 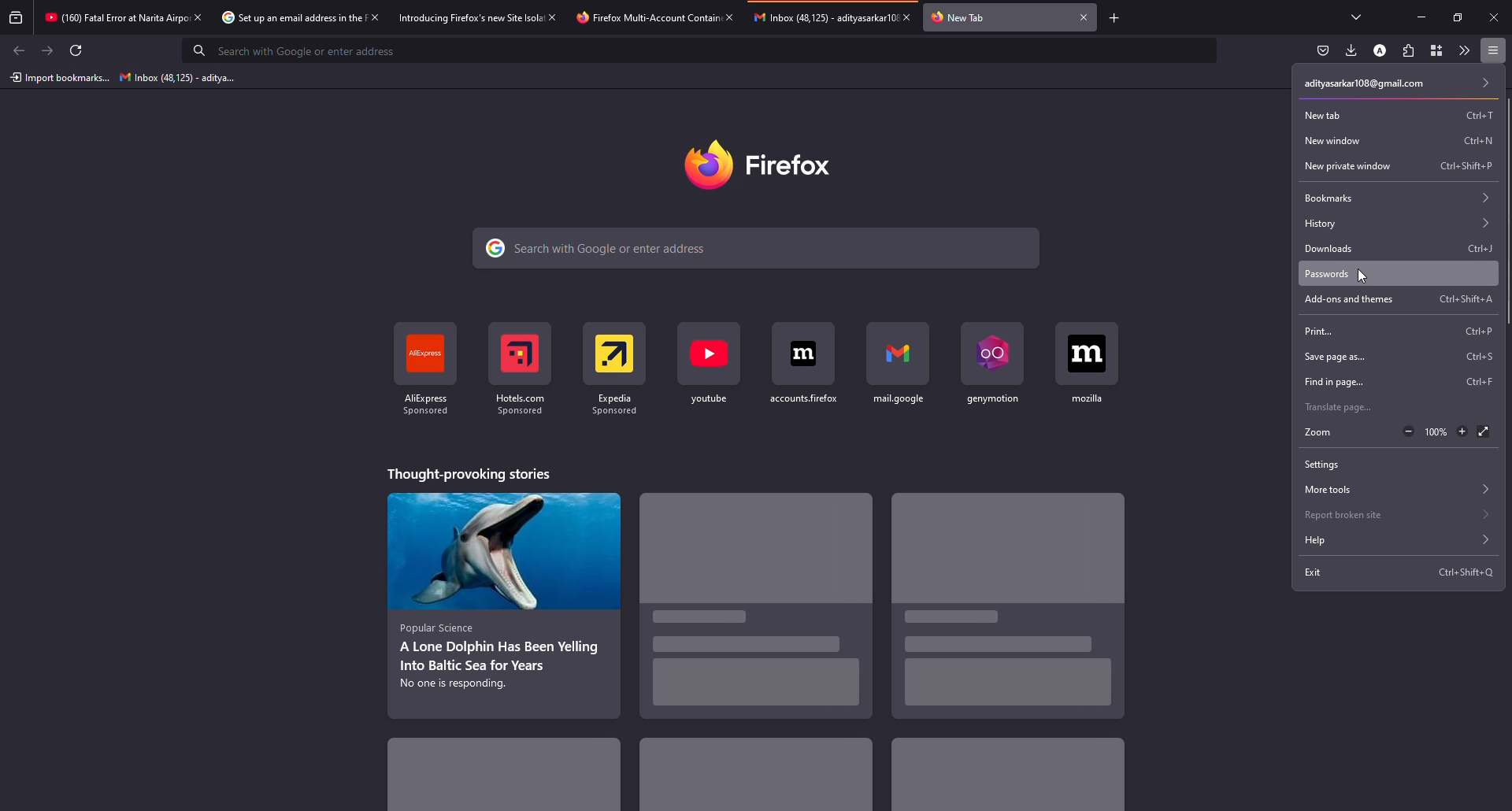 I want to click on shortcut, so click(x=428, y=371).